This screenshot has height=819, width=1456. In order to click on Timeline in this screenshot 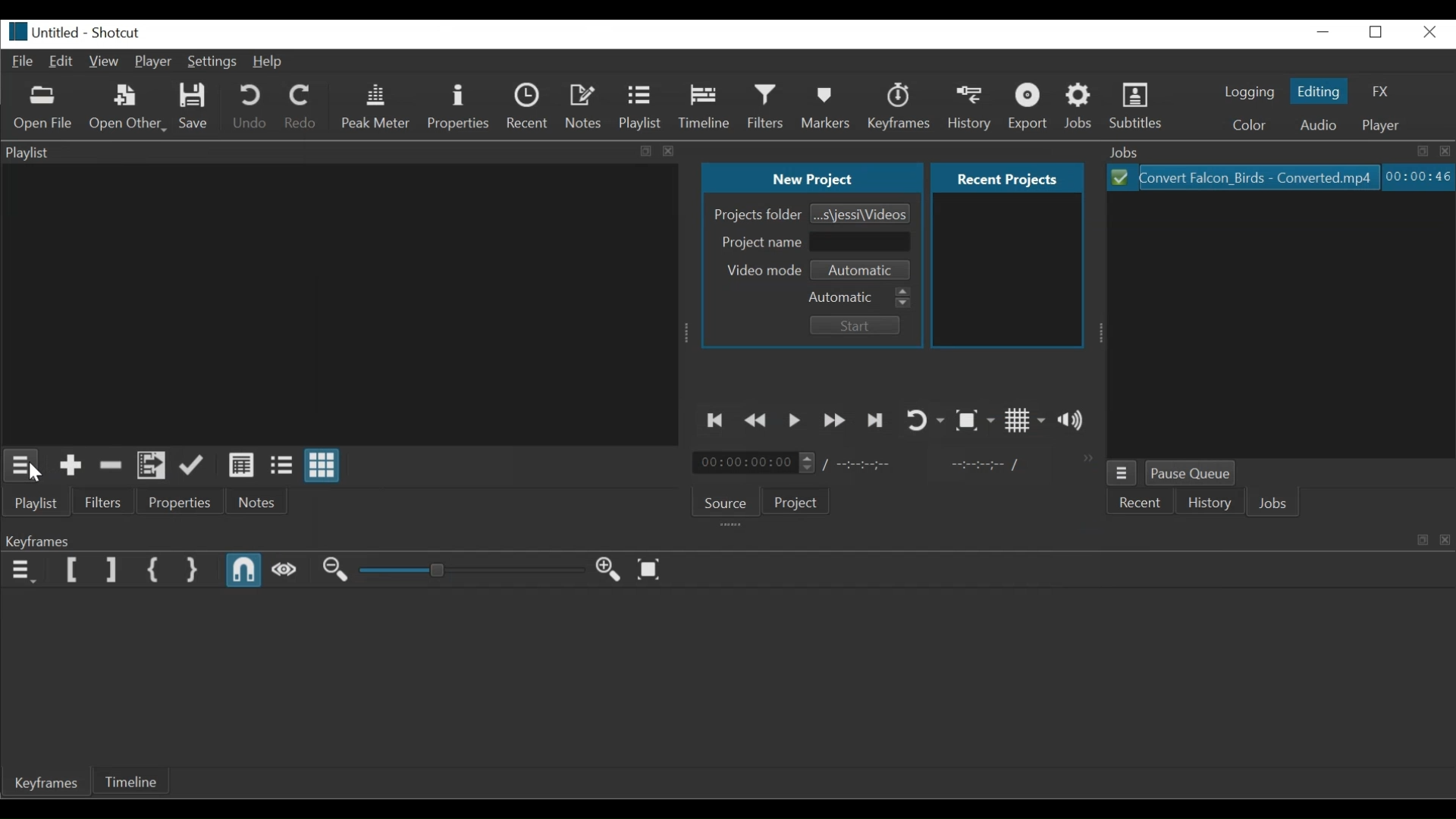, I will do `click(707, 106)`.